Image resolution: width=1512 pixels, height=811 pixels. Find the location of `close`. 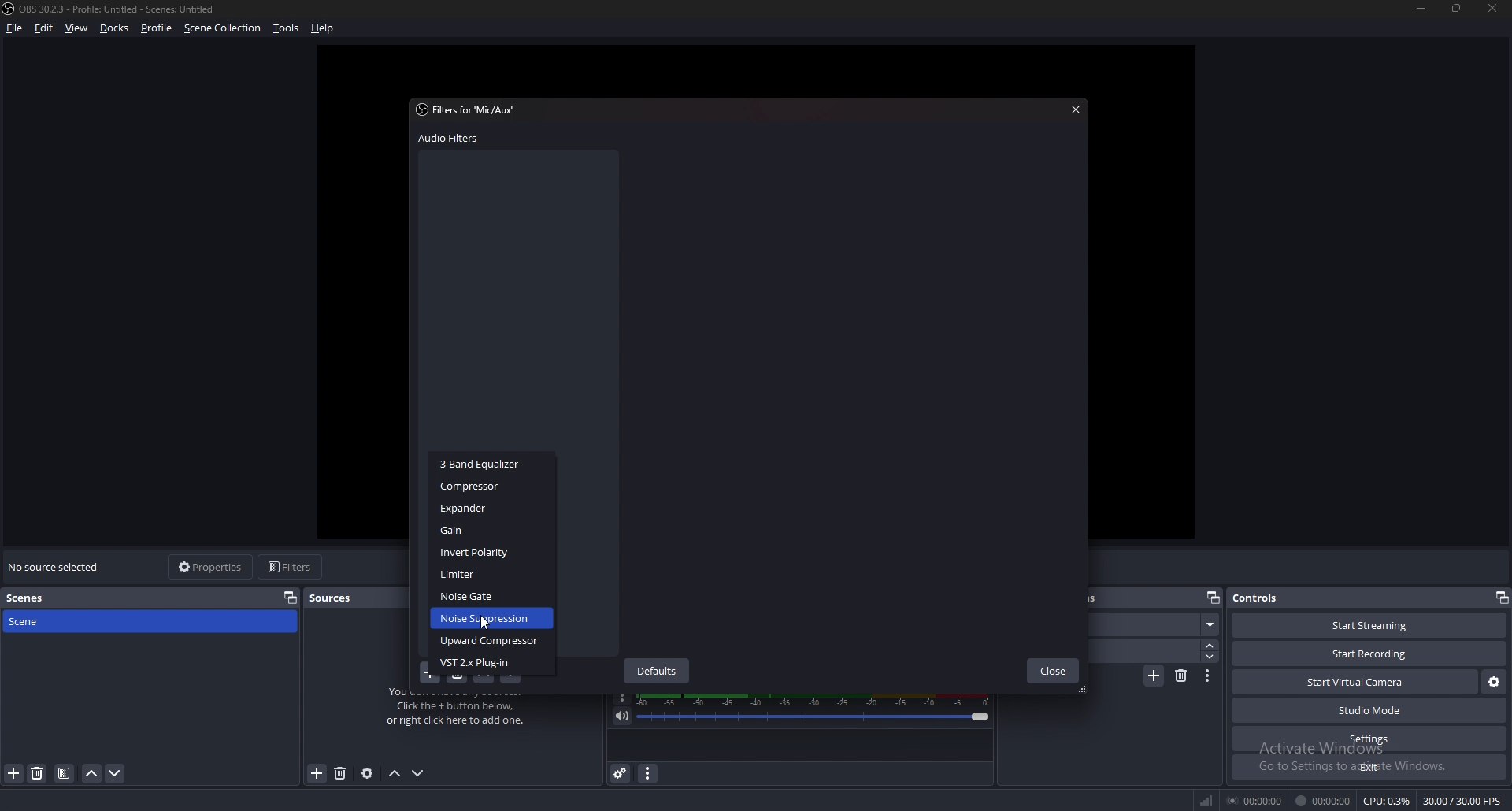

close is located at coordinates (1073, 110).